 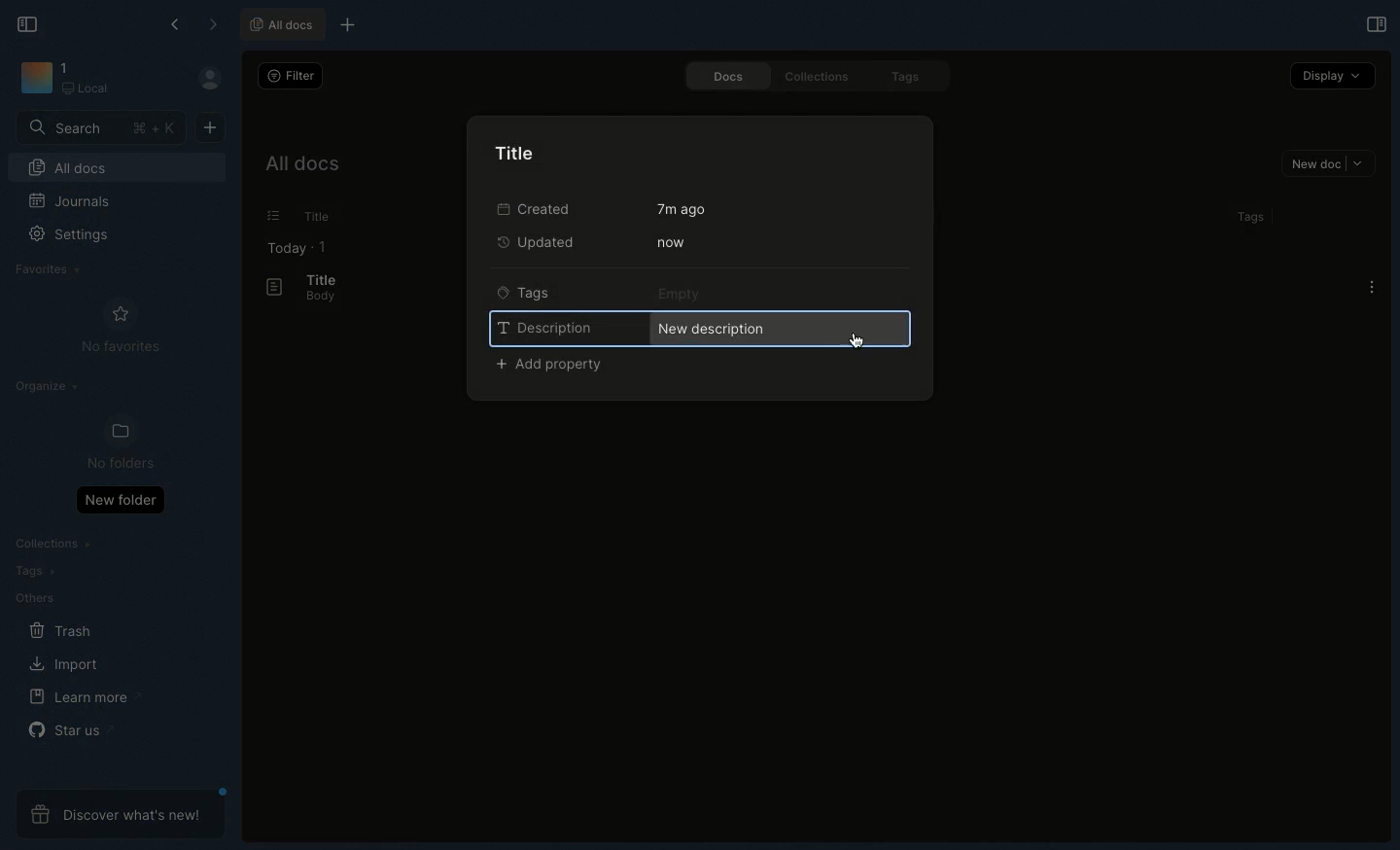 What do you see at coordinates (777, 328) in the screenshot?
I see `New description` at bounding box center [777, 328].